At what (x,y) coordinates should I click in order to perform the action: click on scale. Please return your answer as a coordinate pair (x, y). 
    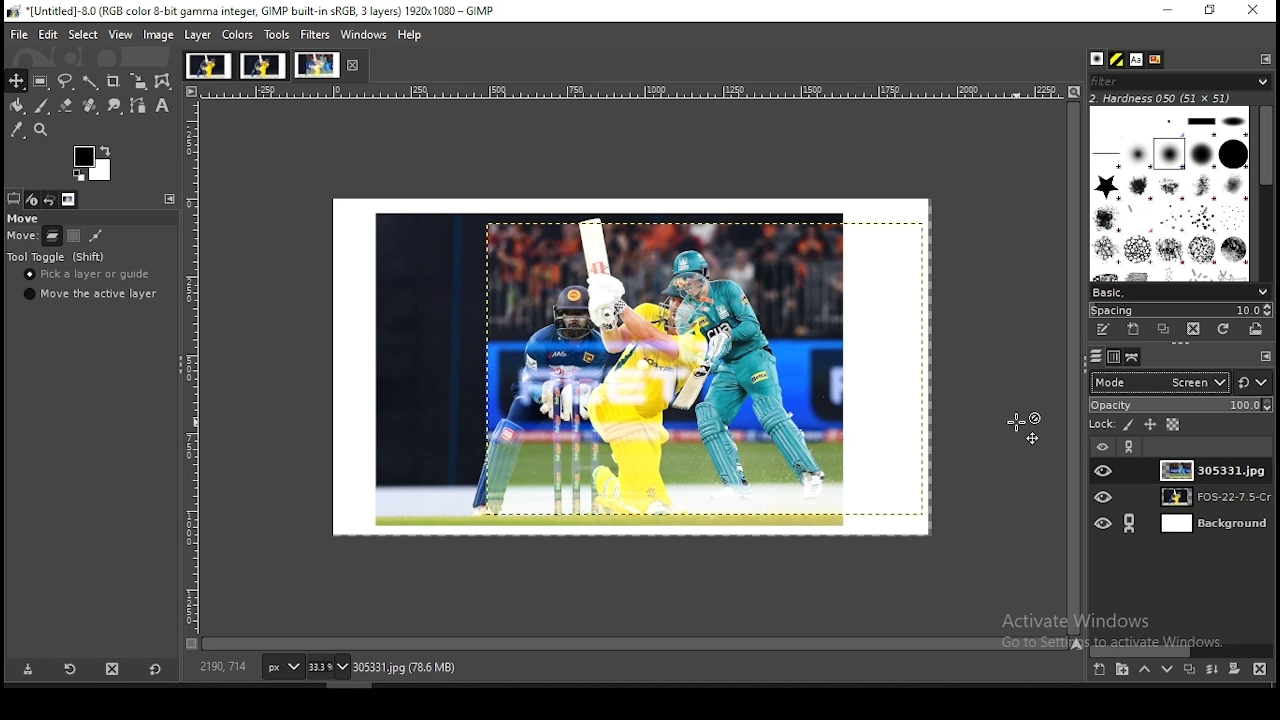
    Looking at the image, I should click on (193, 362).